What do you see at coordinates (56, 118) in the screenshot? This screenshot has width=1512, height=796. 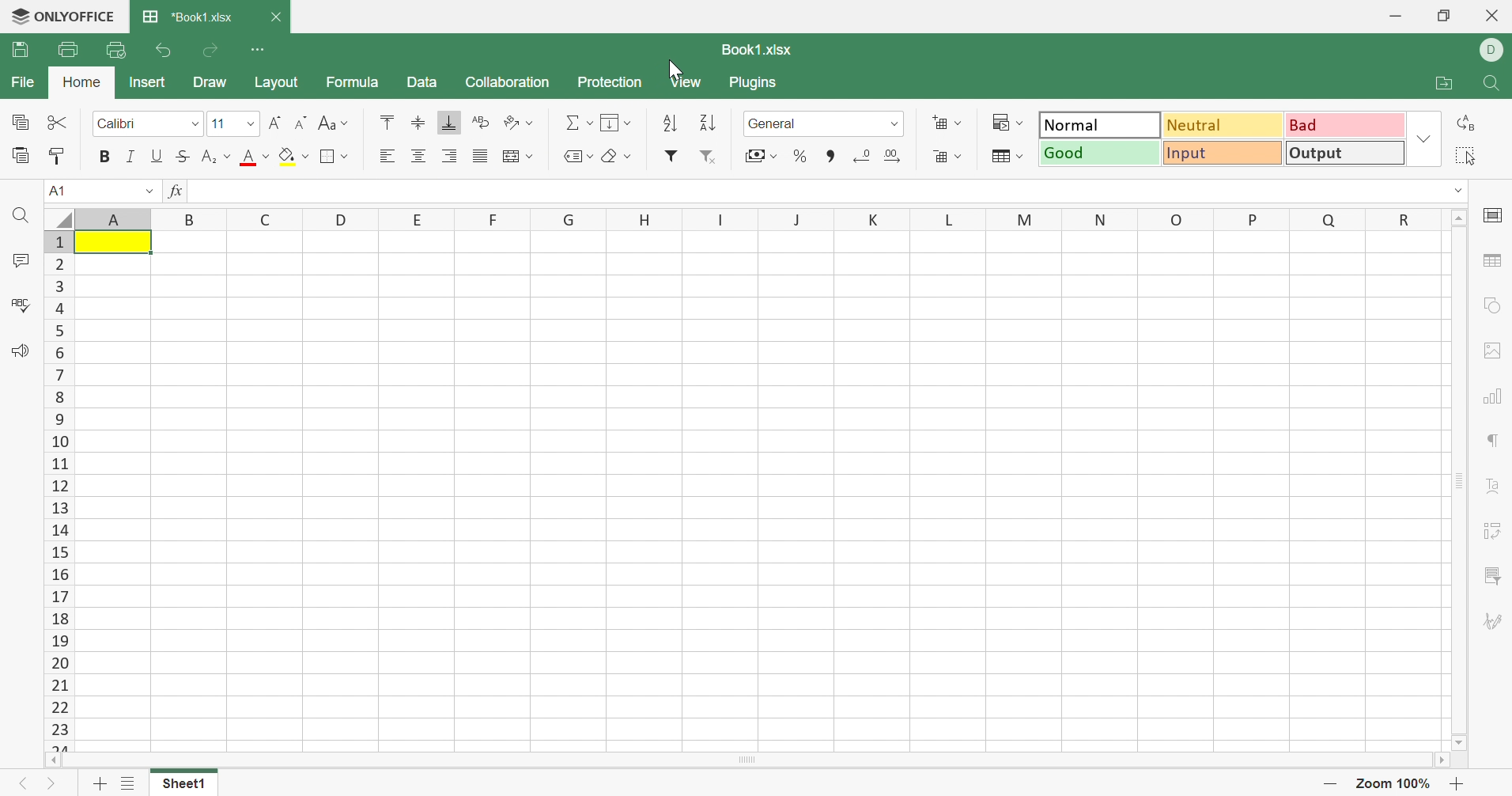 I see `Cut` at bounding box center [56, 118].